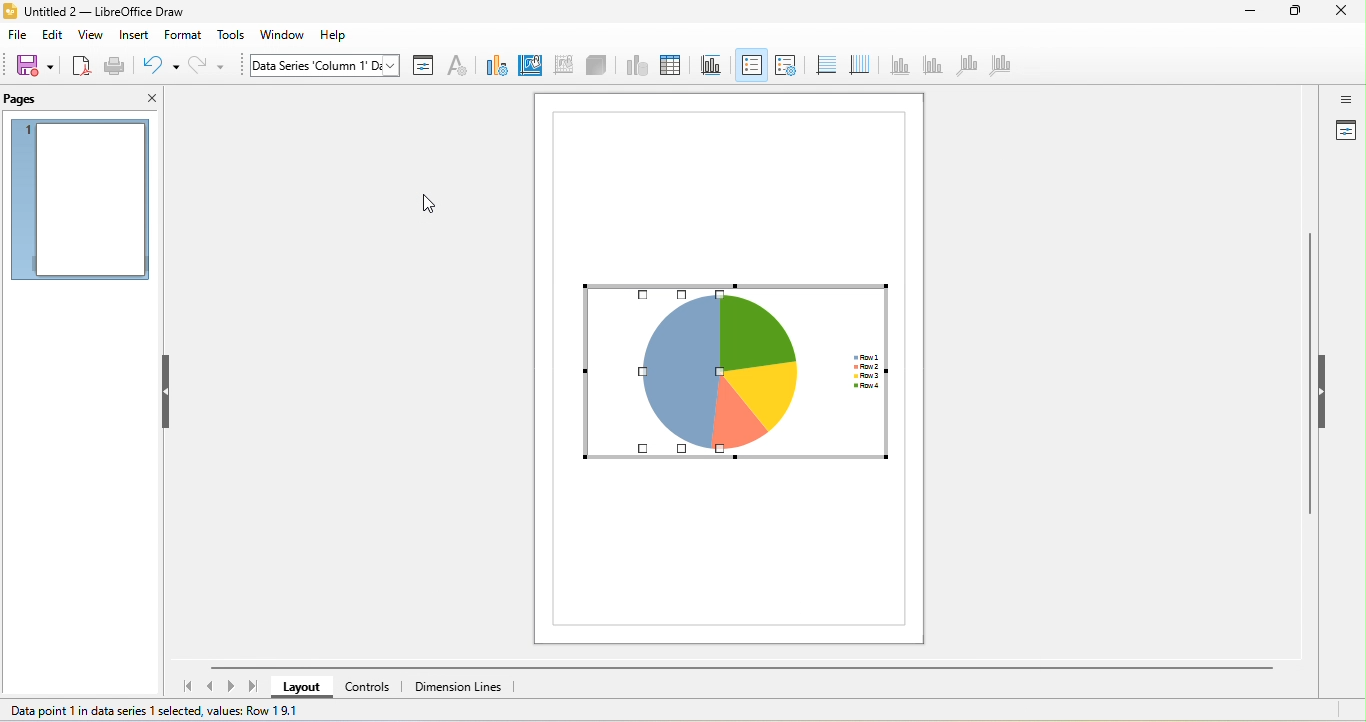  What do you see at coordinates (116, 13) in the screenshot?
I see `untitled 2- libreoffice draw` at bounding box center [116, 13].